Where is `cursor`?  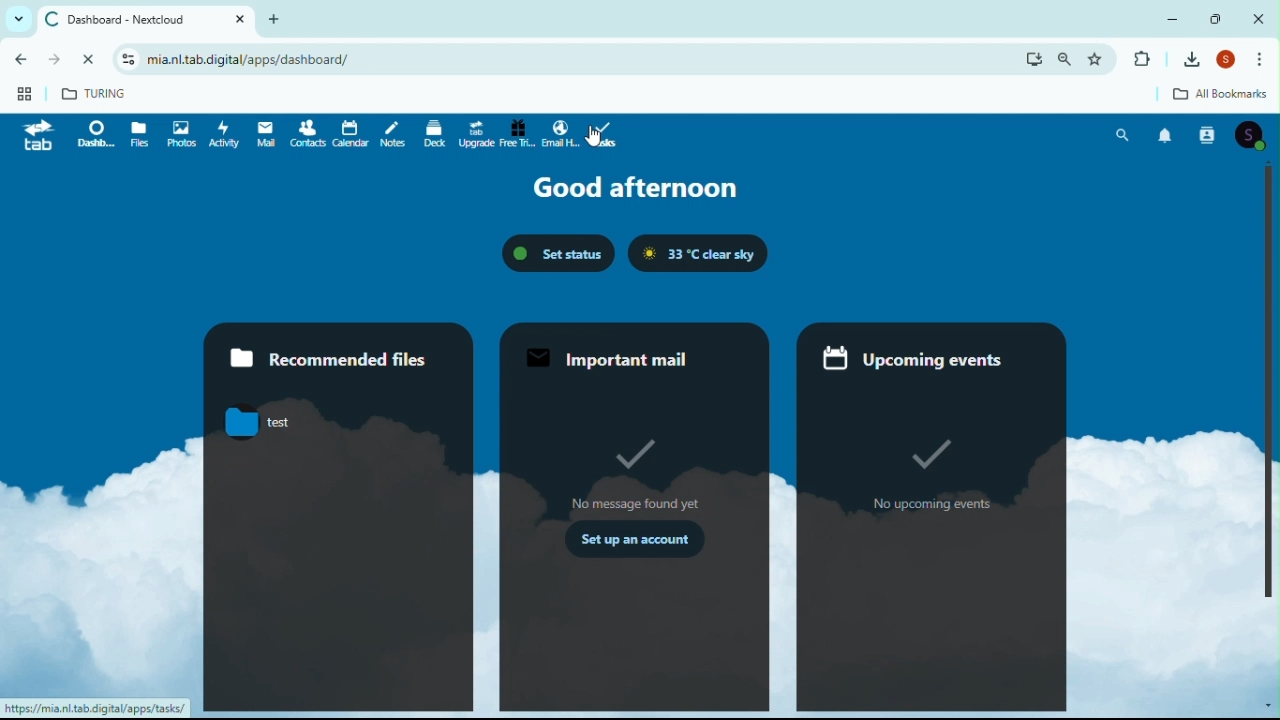 cursor is located at coordinates (593, 141).